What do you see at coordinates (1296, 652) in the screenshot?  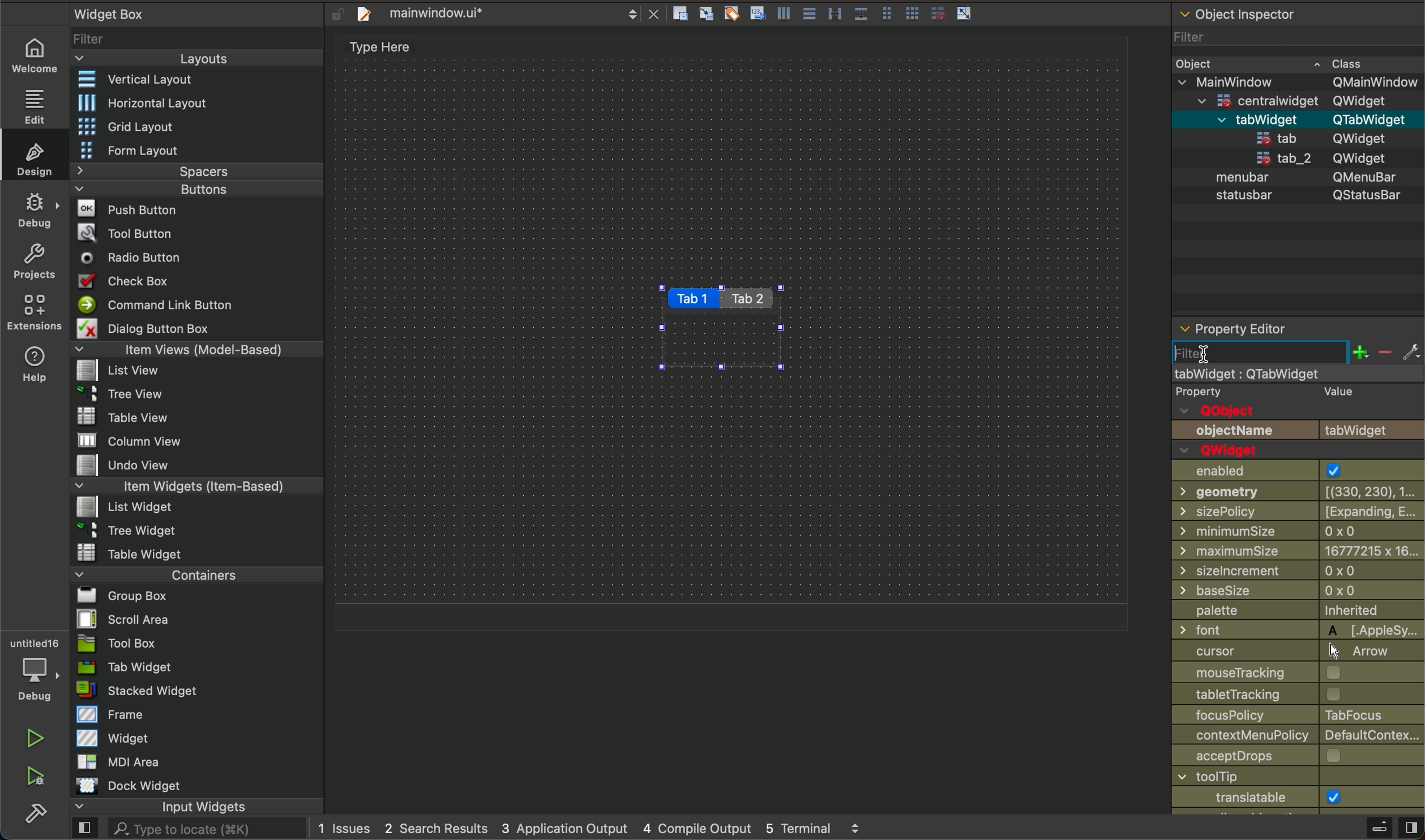 I see `cursor` at bounding box center [1296, 652].